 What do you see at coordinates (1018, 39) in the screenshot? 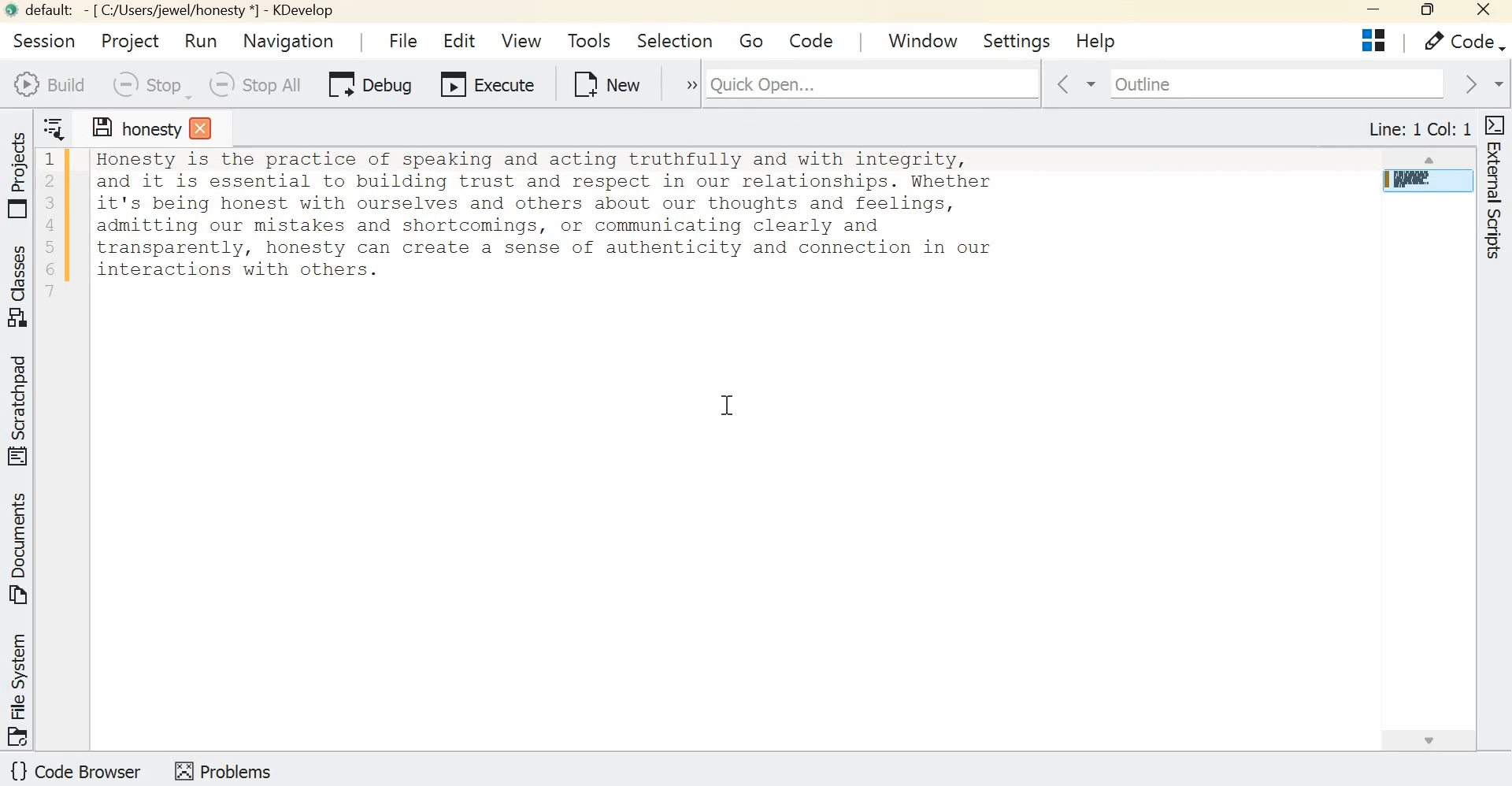
I see `Settings` at bounding box center [1018, 39].